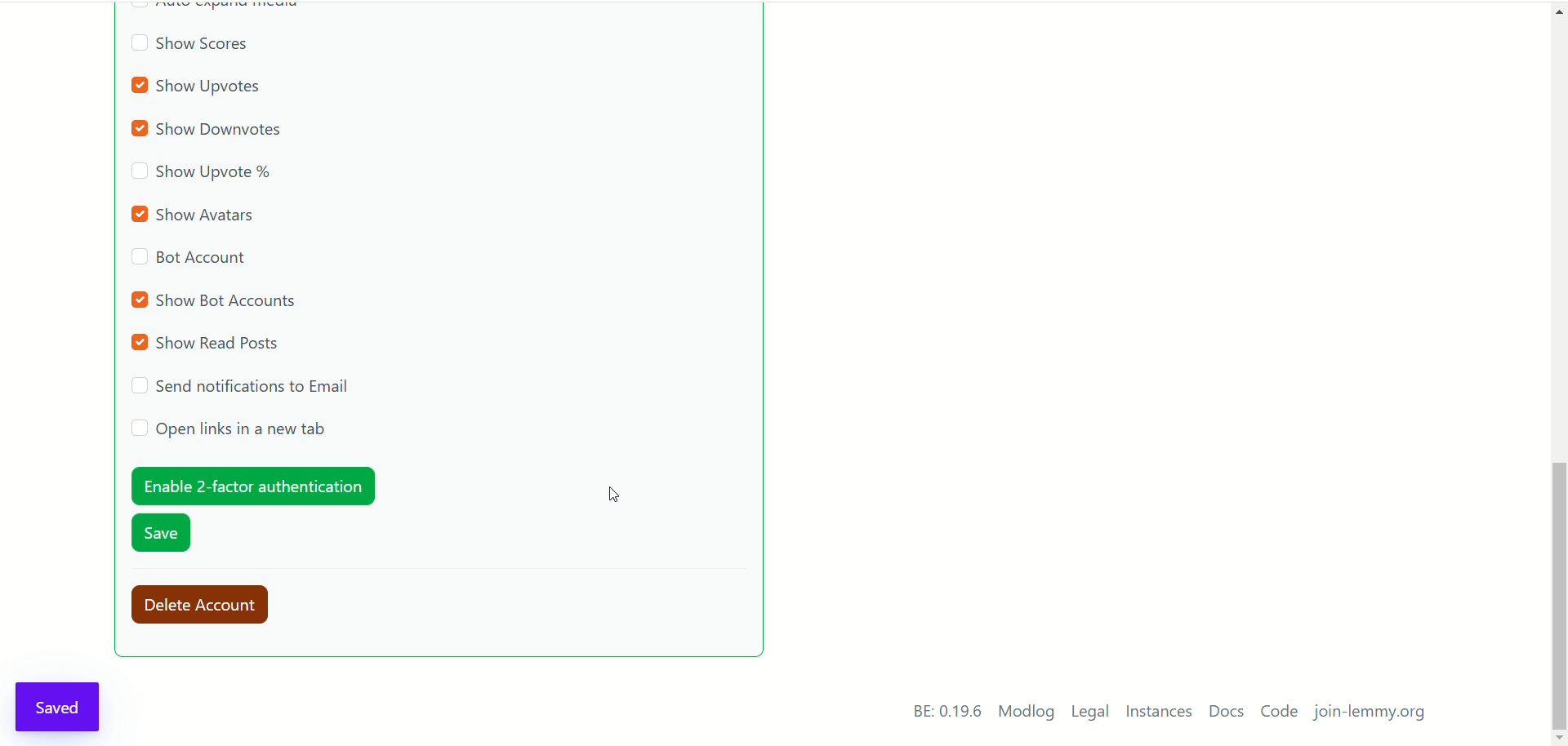  I want to click on bot account, so click(189, 260).